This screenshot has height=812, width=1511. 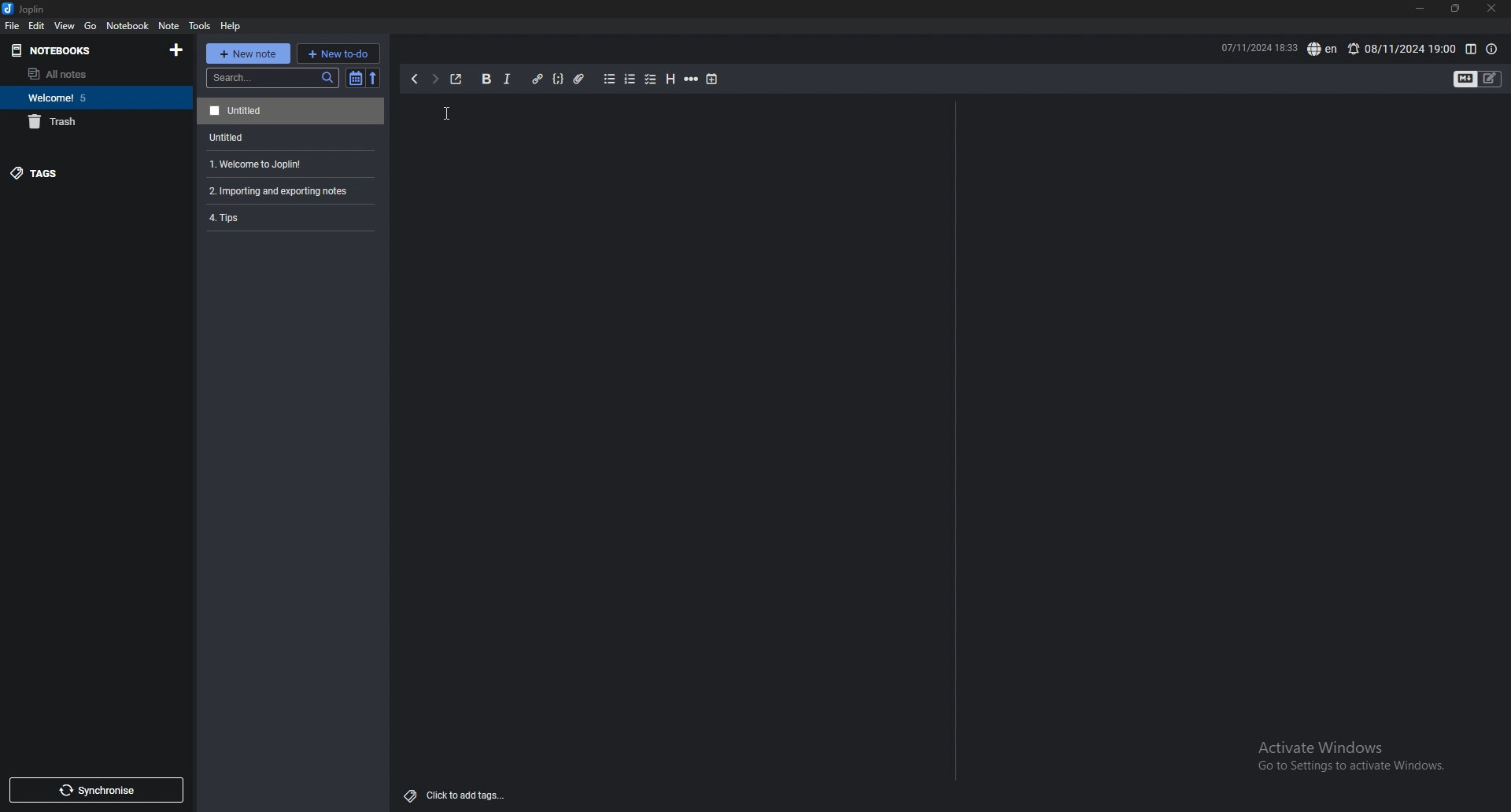 I want to click on next, so click(x=434, y=79).